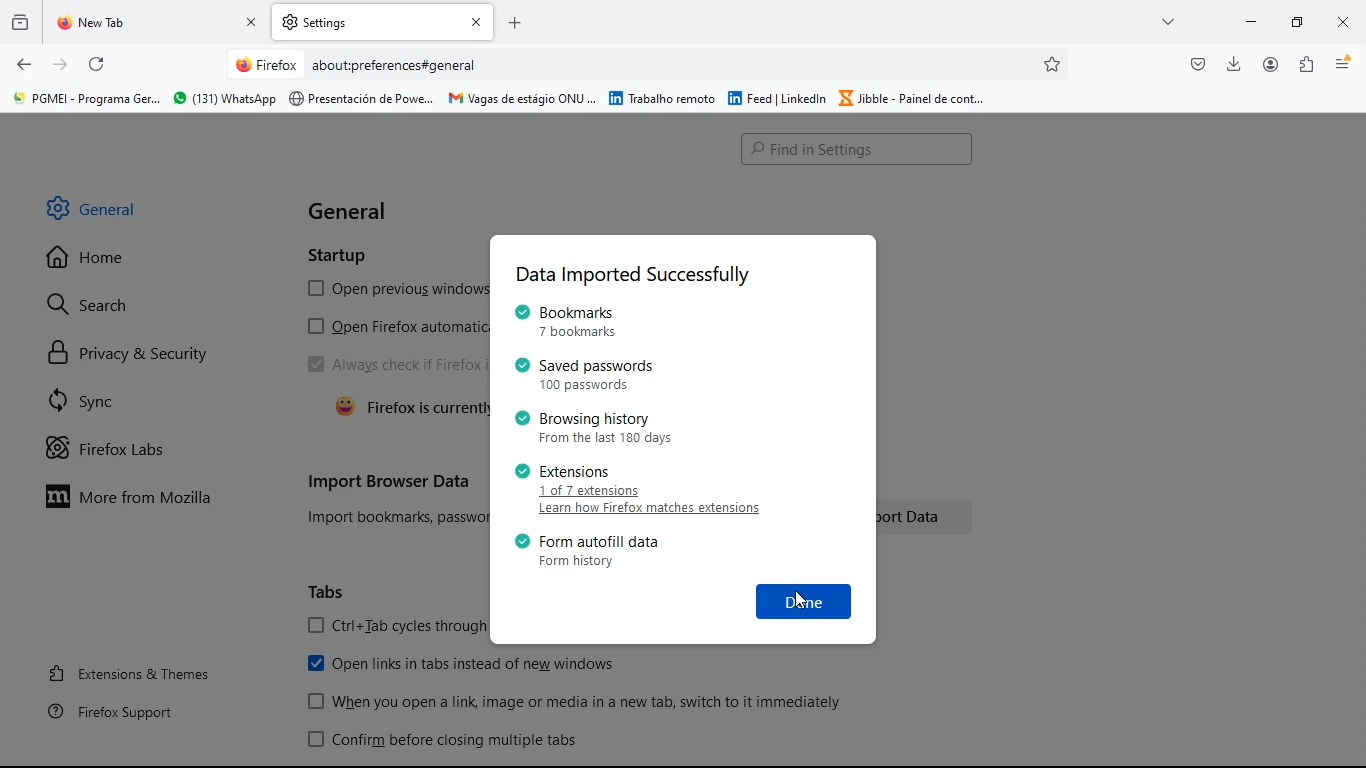  Describe the element at coordinates (108, 263) in the screenshot. I see `home` at that location.